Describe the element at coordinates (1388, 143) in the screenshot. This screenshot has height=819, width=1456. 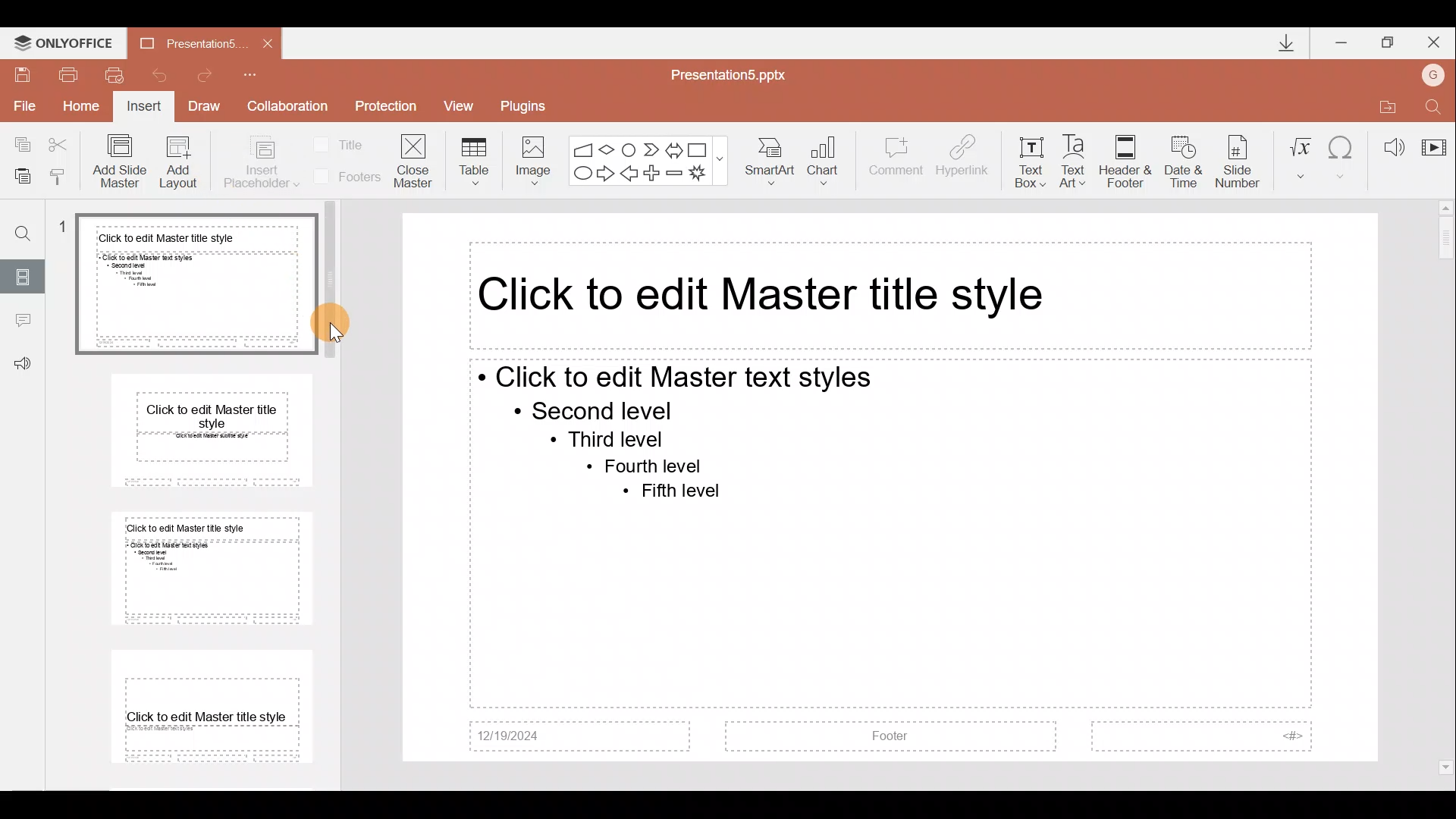
I see `Audio` at that location.